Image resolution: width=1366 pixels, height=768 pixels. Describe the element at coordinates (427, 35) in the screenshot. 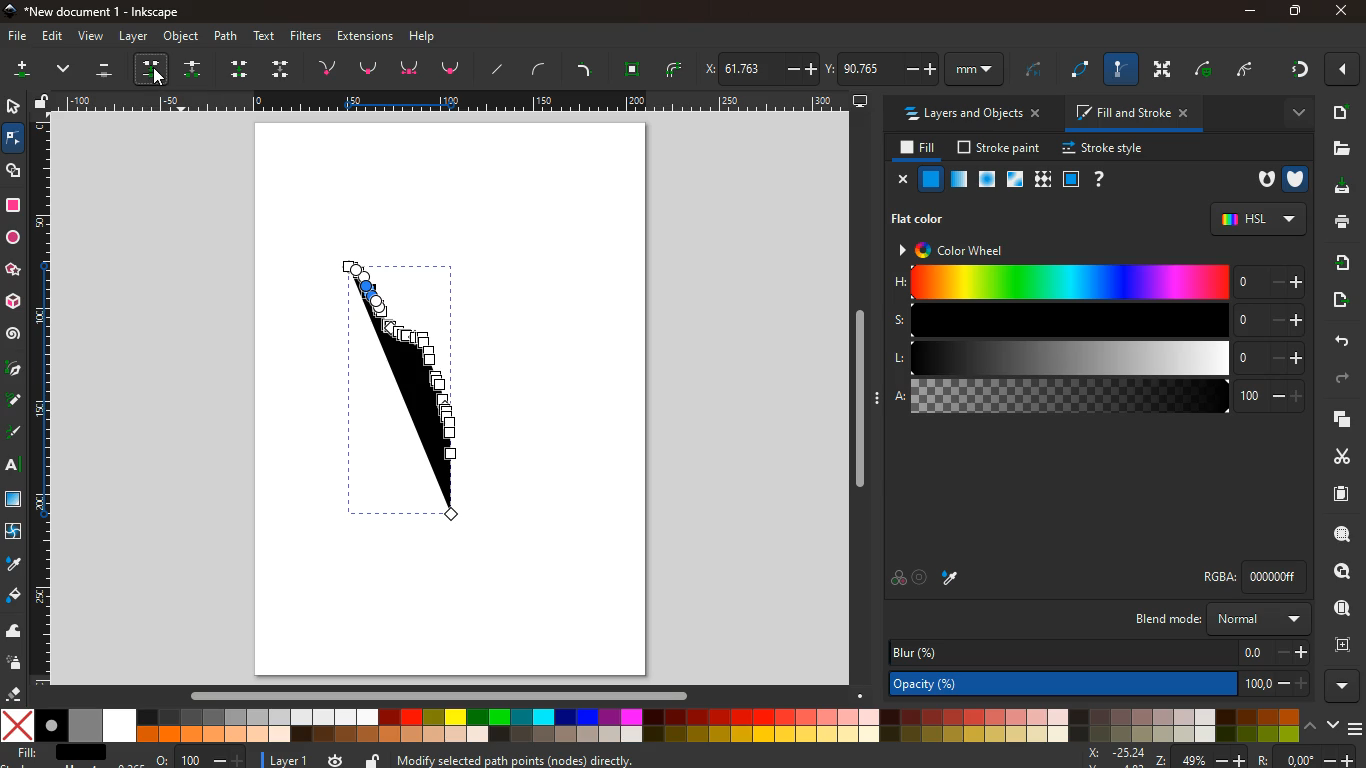

I see `Help` at that location.